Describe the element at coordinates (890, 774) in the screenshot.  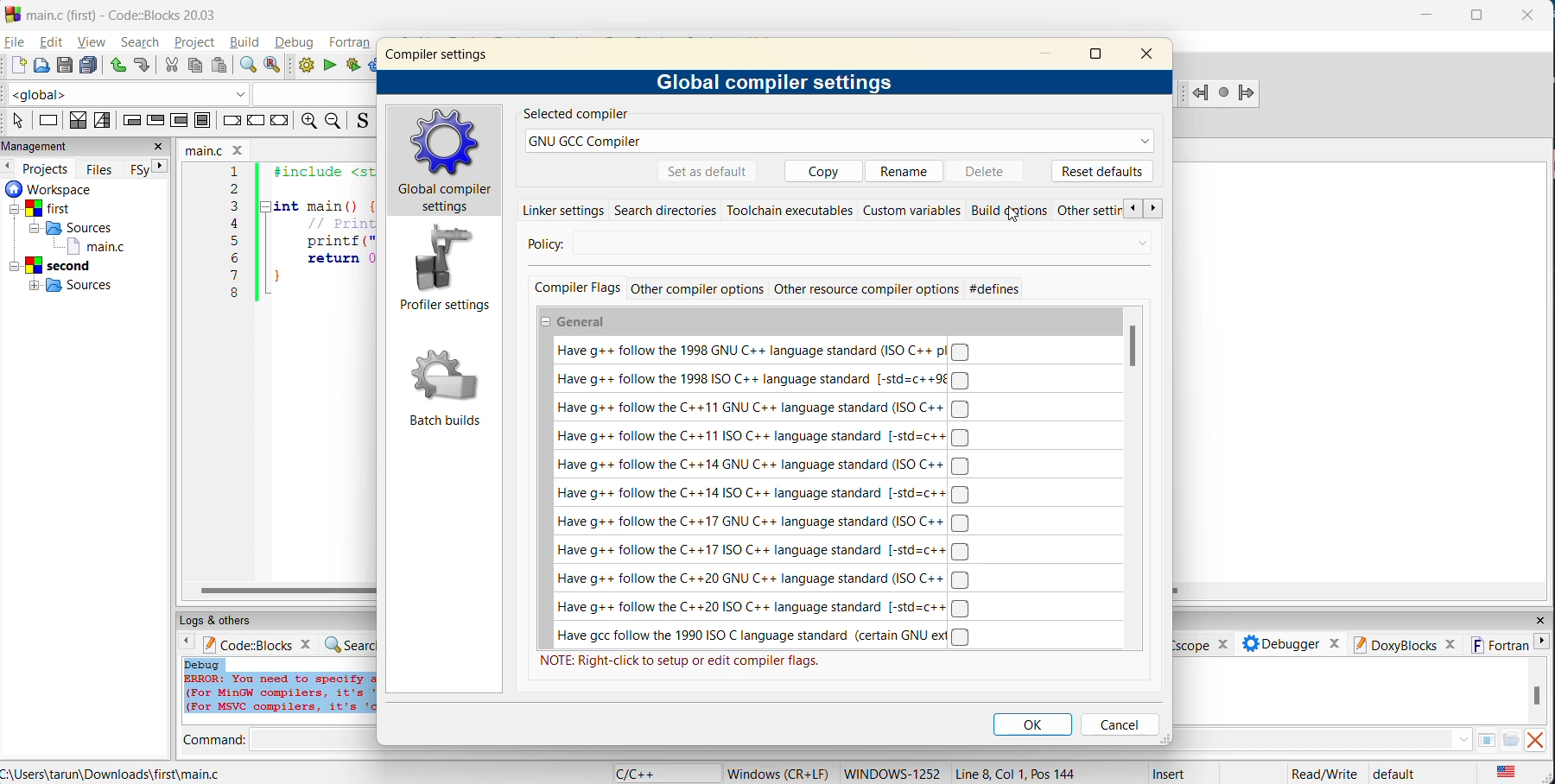
I see `WINDOWS 1252` at that location.